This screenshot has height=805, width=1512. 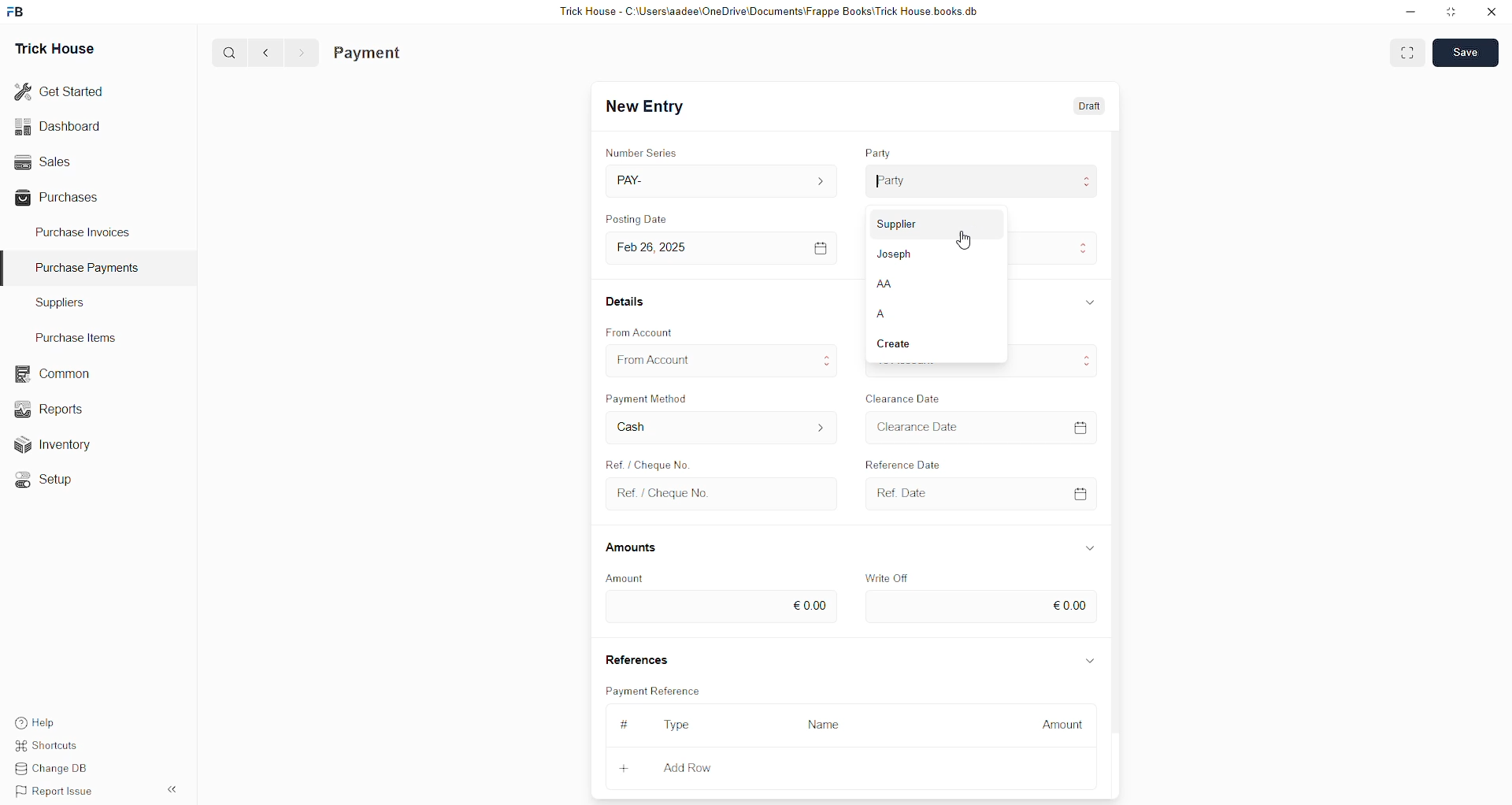 What do you see at coordinates (888, 574) in the screenshot?
I see `Write Off` at bounding box center [888, 574].